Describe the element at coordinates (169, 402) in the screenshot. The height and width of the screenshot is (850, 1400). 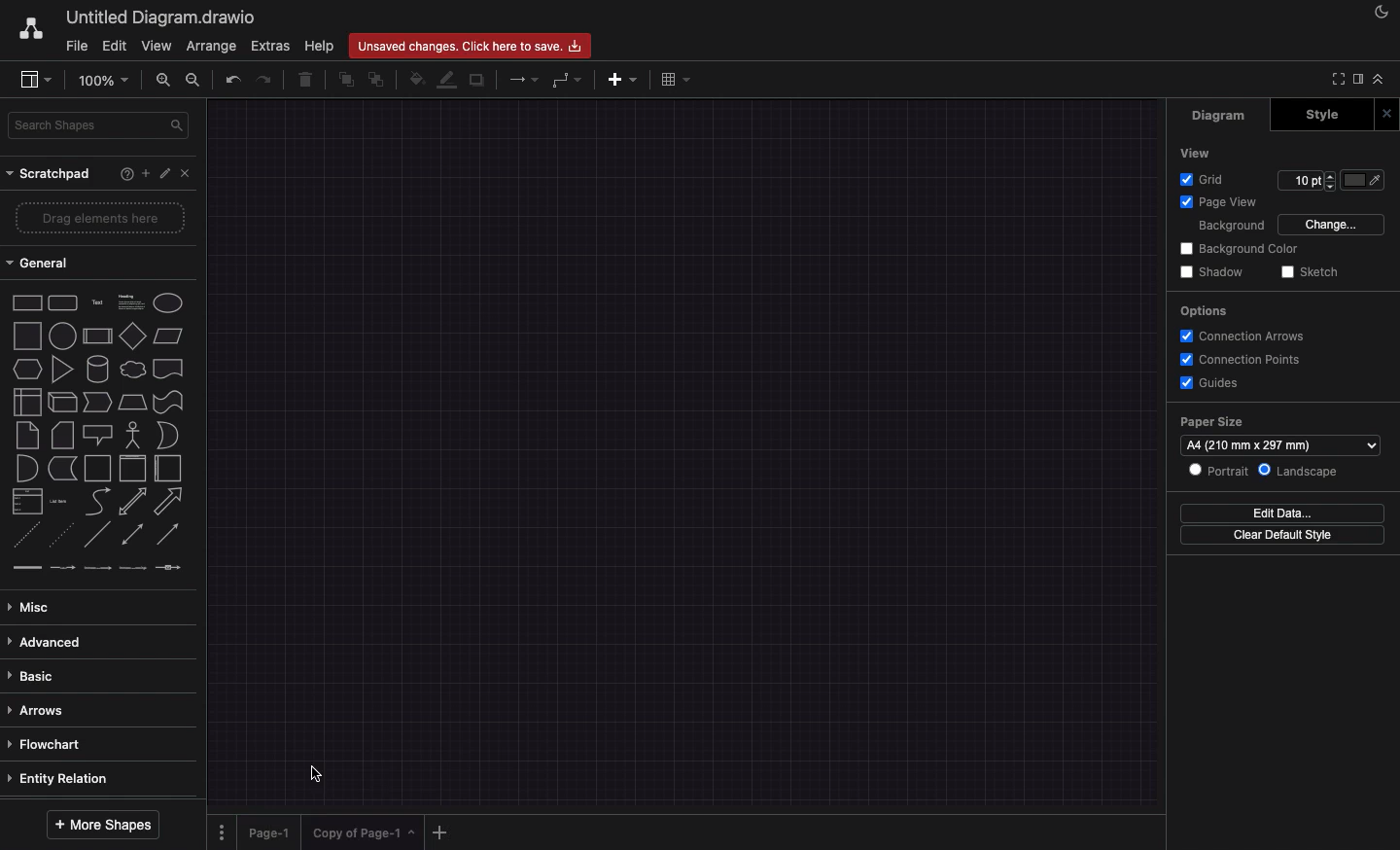
I see `tape` at that location.